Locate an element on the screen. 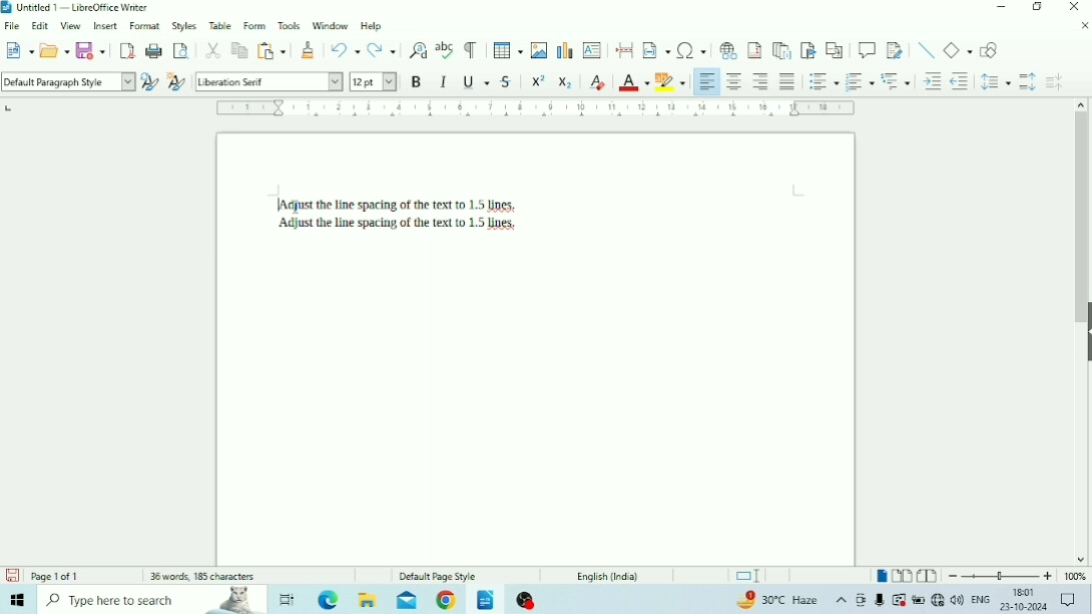 The width and height of the screenshot is (1092, 614). New Style for Selection is located at coordinates (176, 79).